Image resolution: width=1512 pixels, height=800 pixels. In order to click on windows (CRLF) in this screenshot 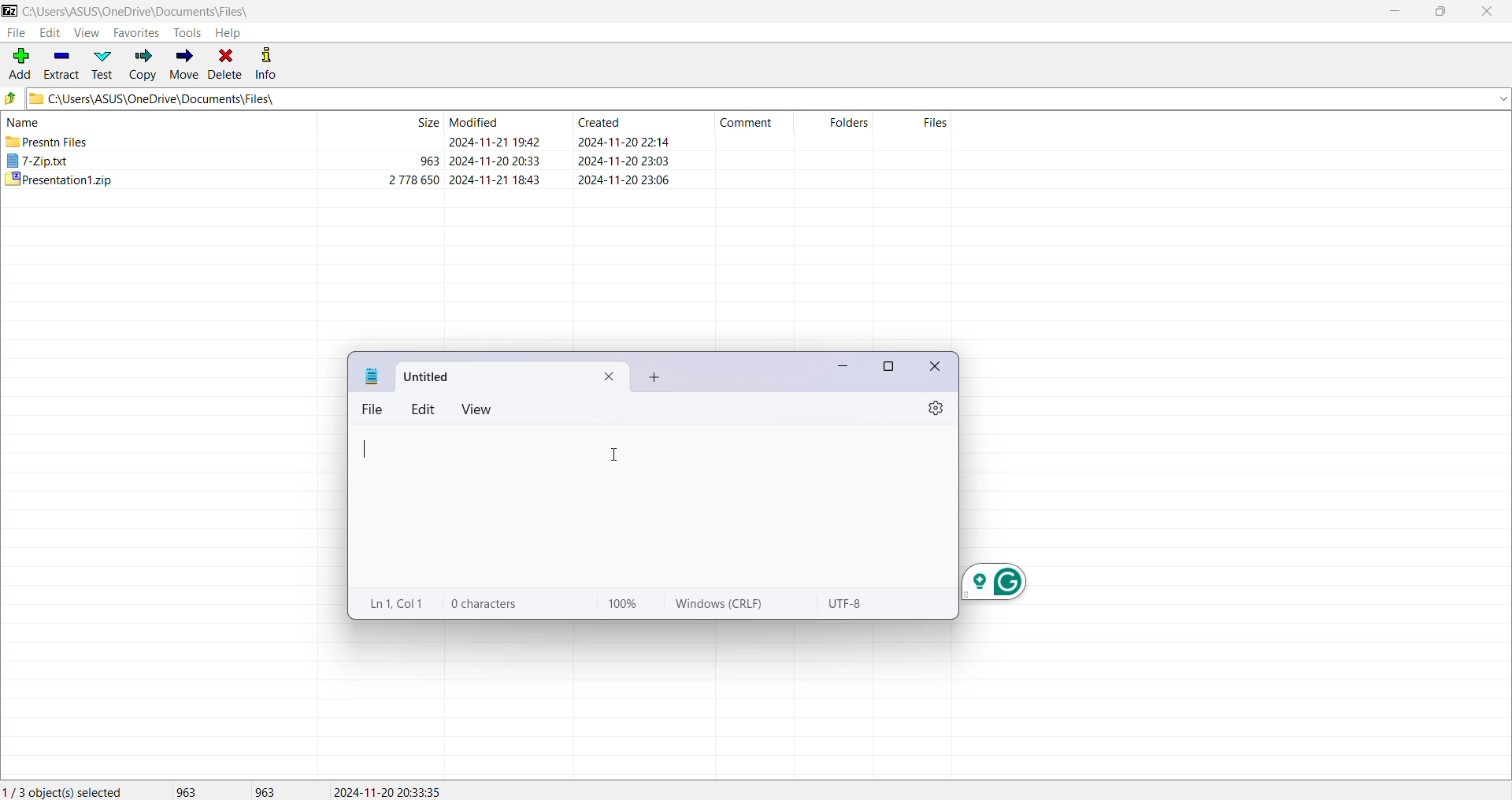, I will do `click(718, 603)`.